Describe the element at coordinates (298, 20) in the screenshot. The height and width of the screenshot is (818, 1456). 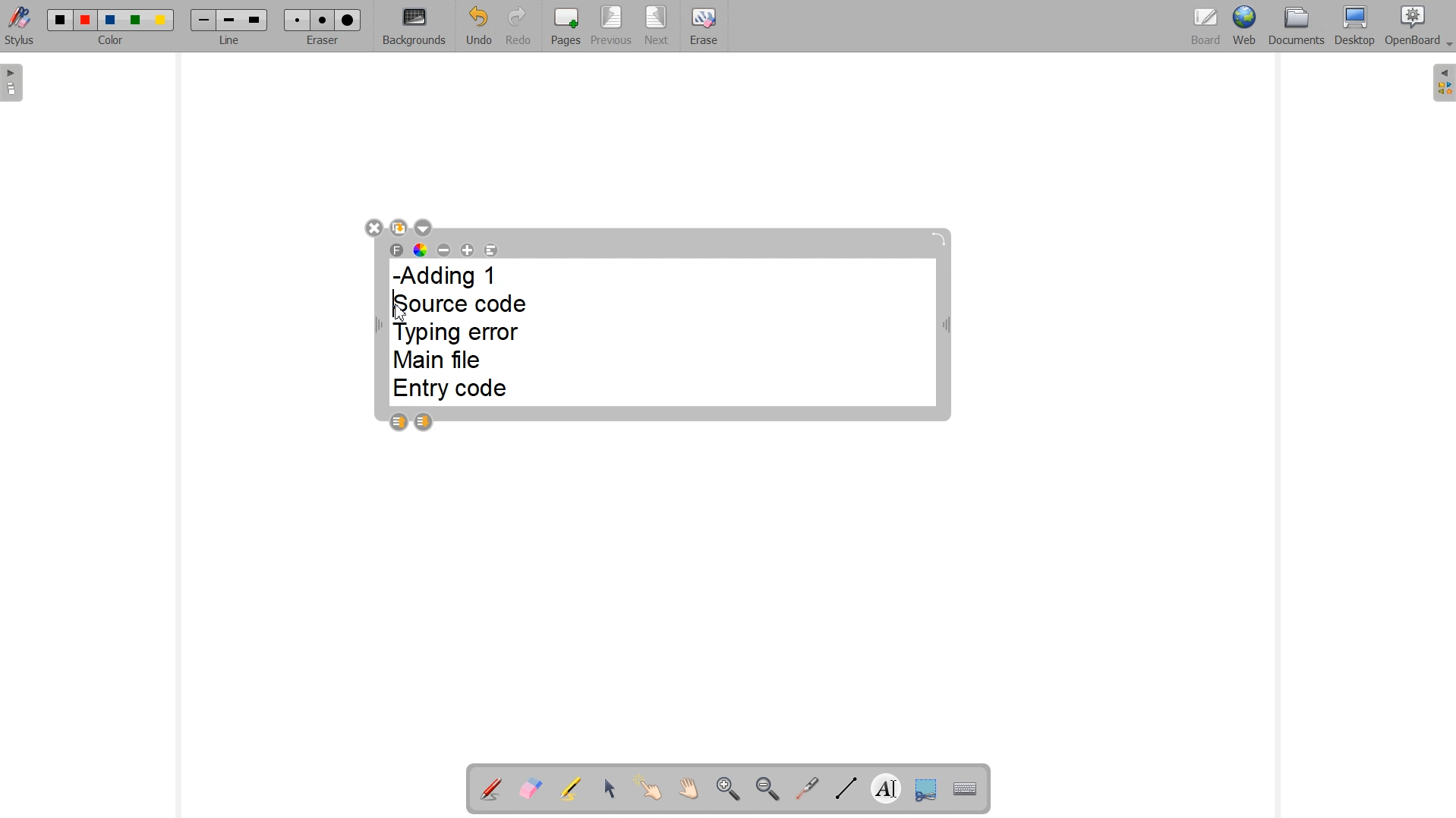
I see `Small eraser` at that location.